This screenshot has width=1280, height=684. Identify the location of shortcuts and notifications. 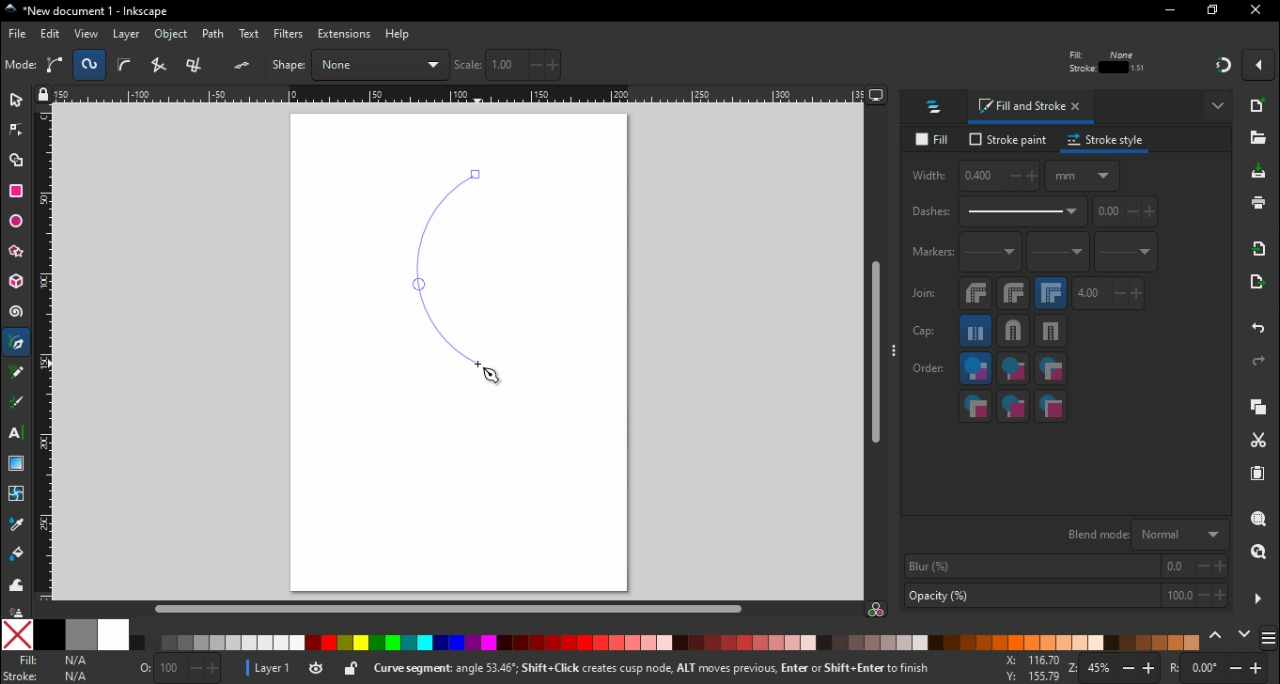
(679, 667).